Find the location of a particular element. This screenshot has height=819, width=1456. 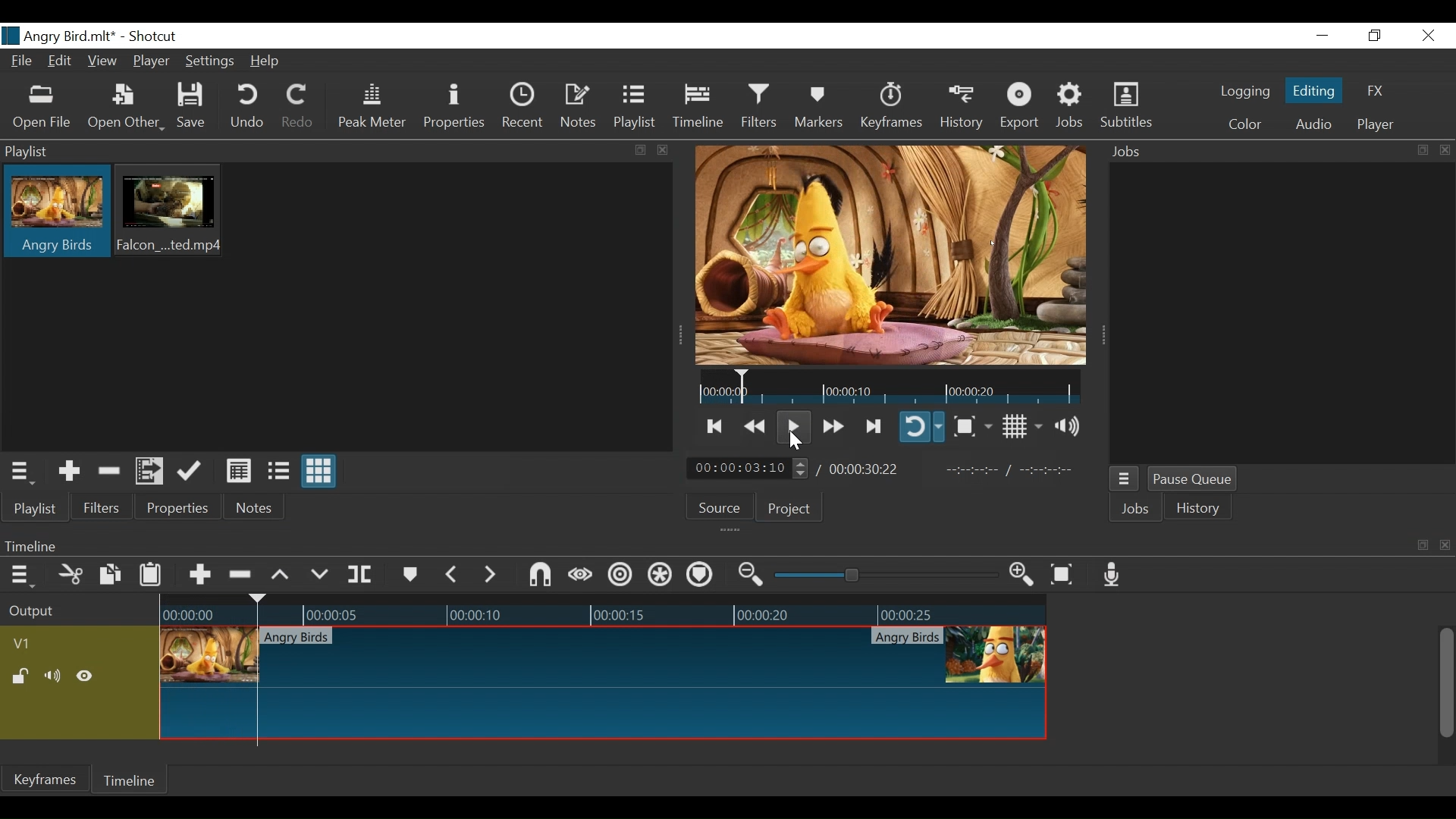

Help is located at coordinates (268, 60).